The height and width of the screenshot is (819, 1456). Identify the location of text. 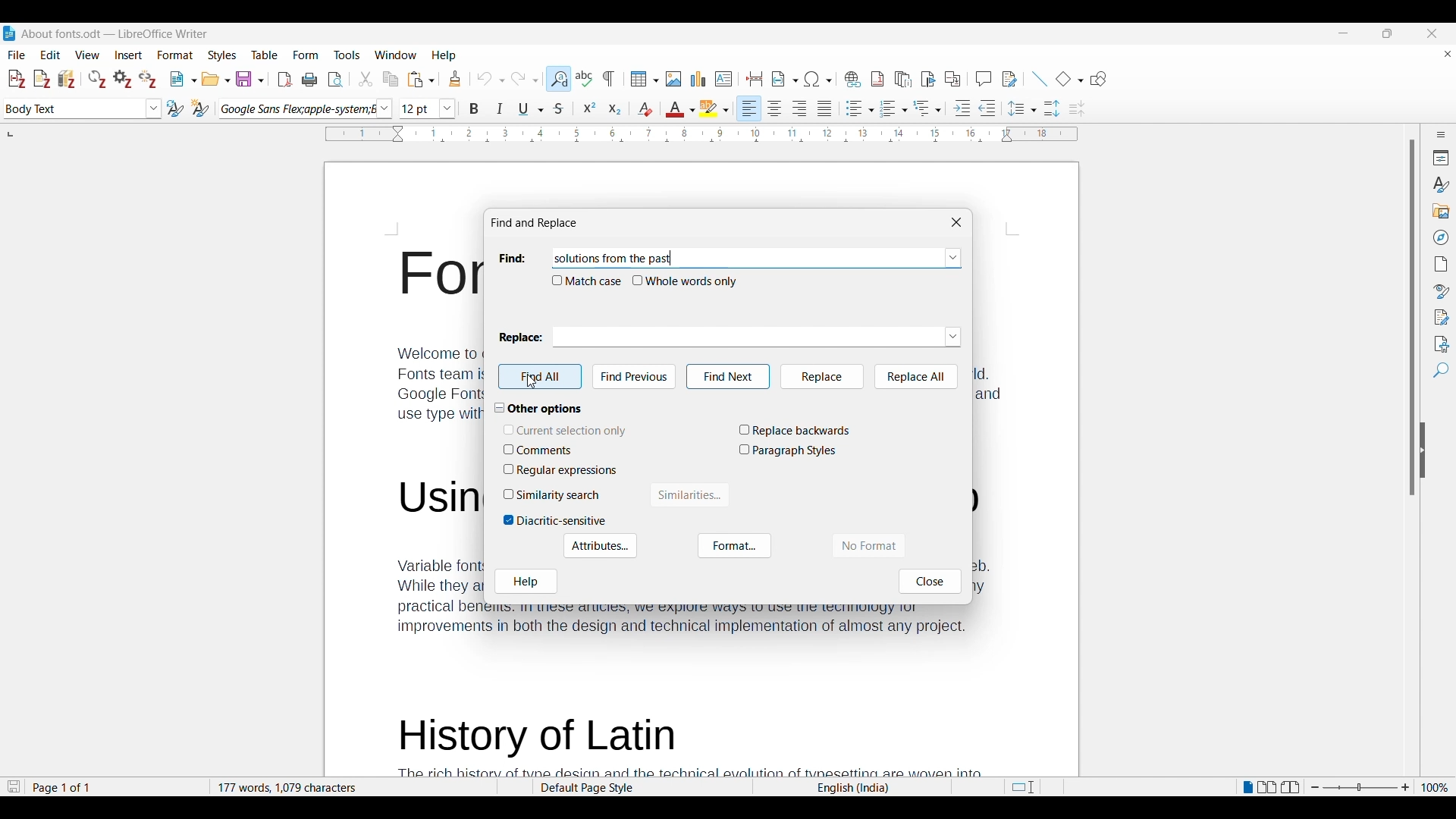
(435, 442).